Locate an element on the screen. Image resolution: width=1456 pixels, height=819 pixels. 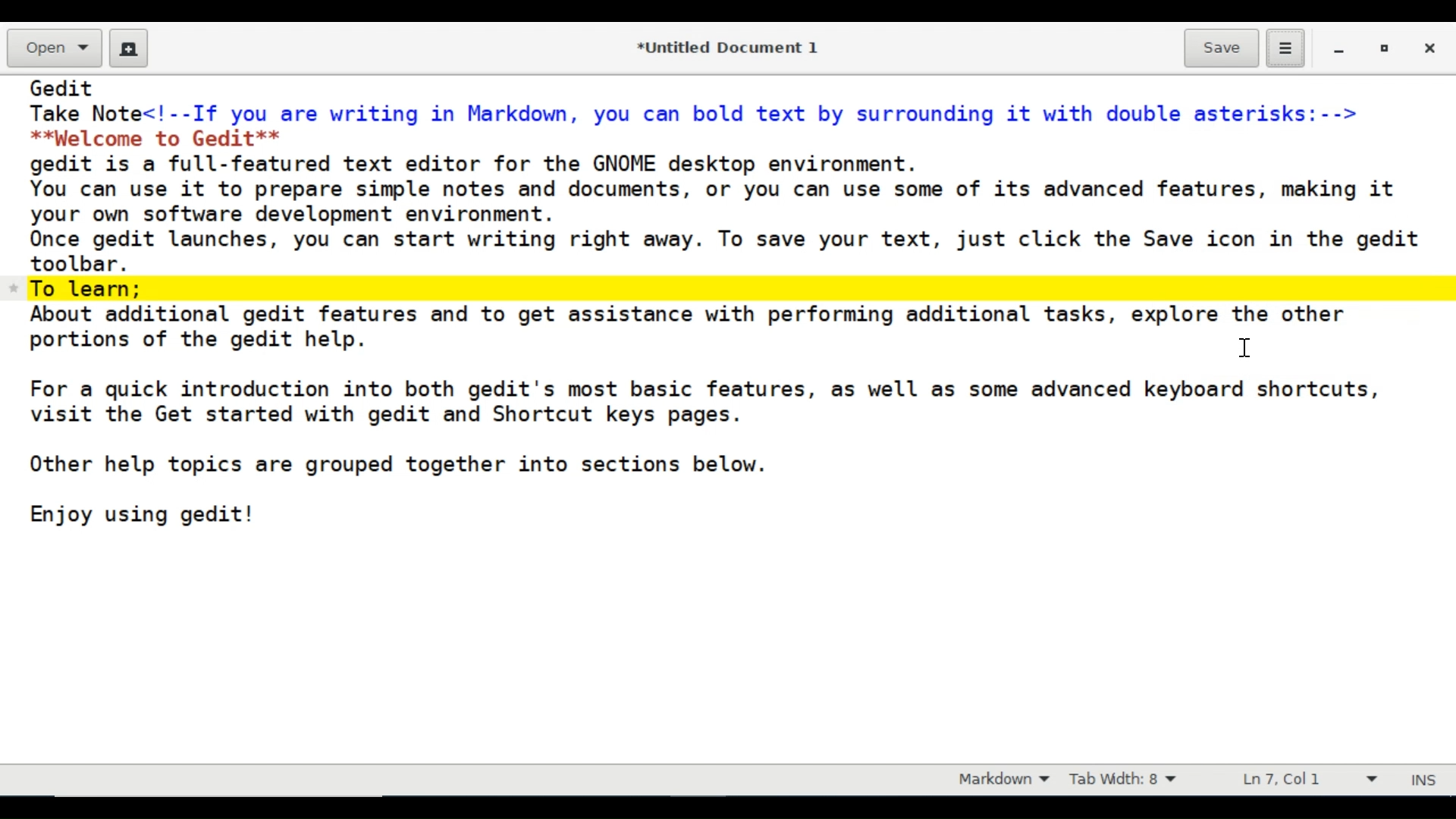
You can use it to prepare simple notes and documents, or you can use some of its advanced features, making it
your own software development environment. is located at coordinates (726, 201).